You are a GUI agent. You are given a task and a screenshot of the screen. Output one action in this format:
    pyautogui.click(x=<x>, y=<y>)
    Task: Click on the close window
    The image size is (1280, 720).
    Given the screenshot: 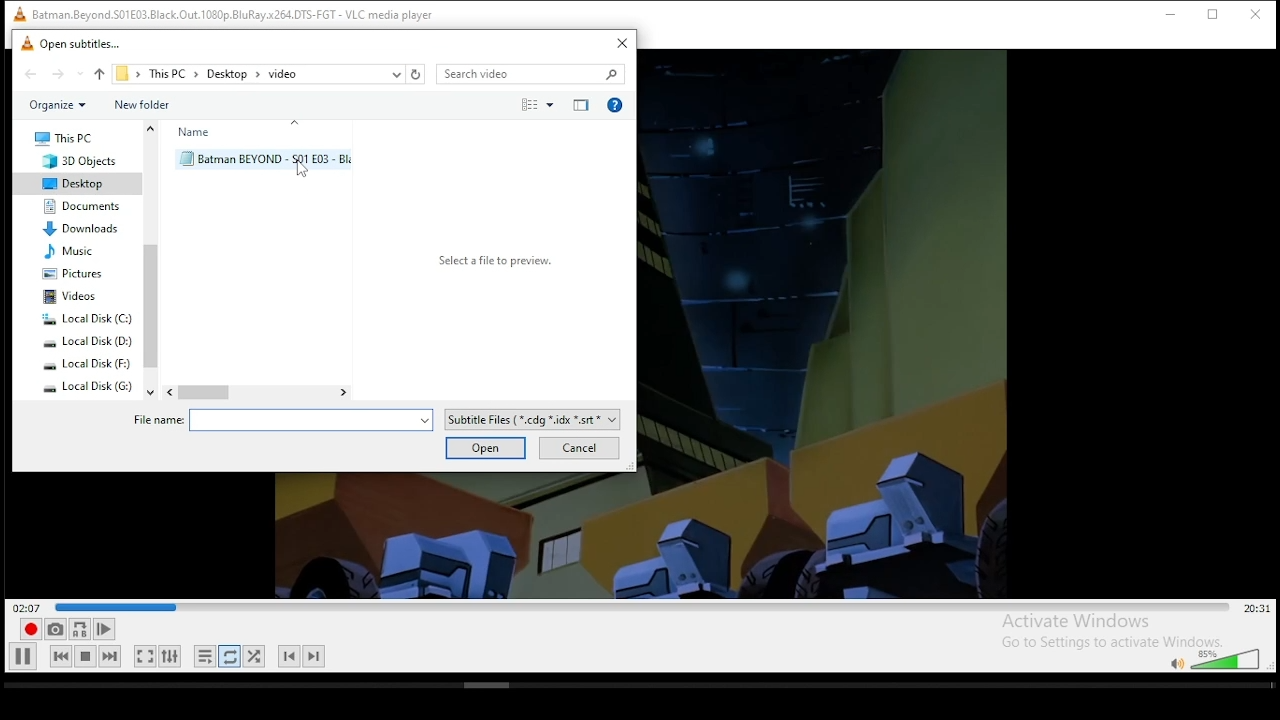 What is the action you would take?
    pyautogui.click(x=622, y=44)
    